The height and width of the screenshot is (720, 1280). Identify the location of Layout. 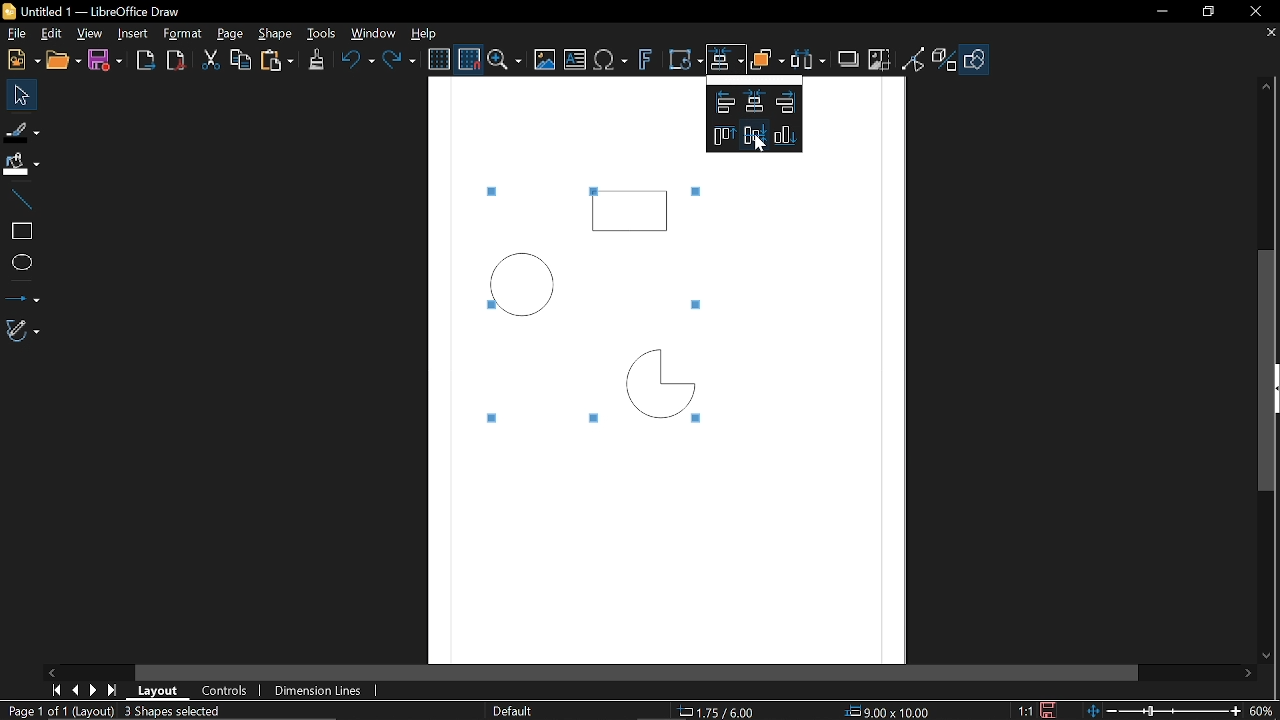
(156, 691).